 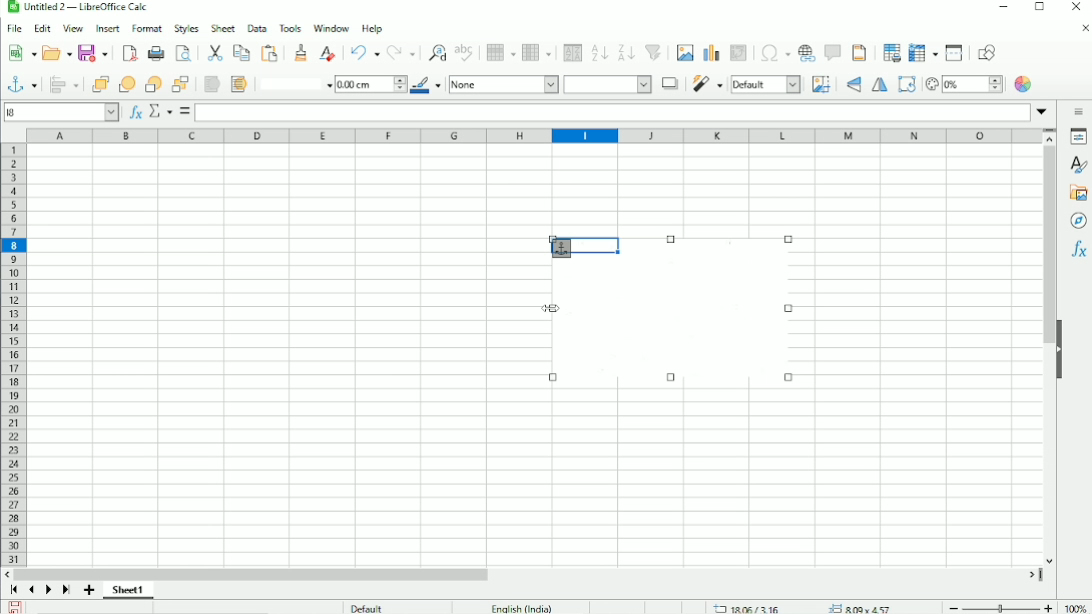 I want to click on Title, so click(x=79, y=8).